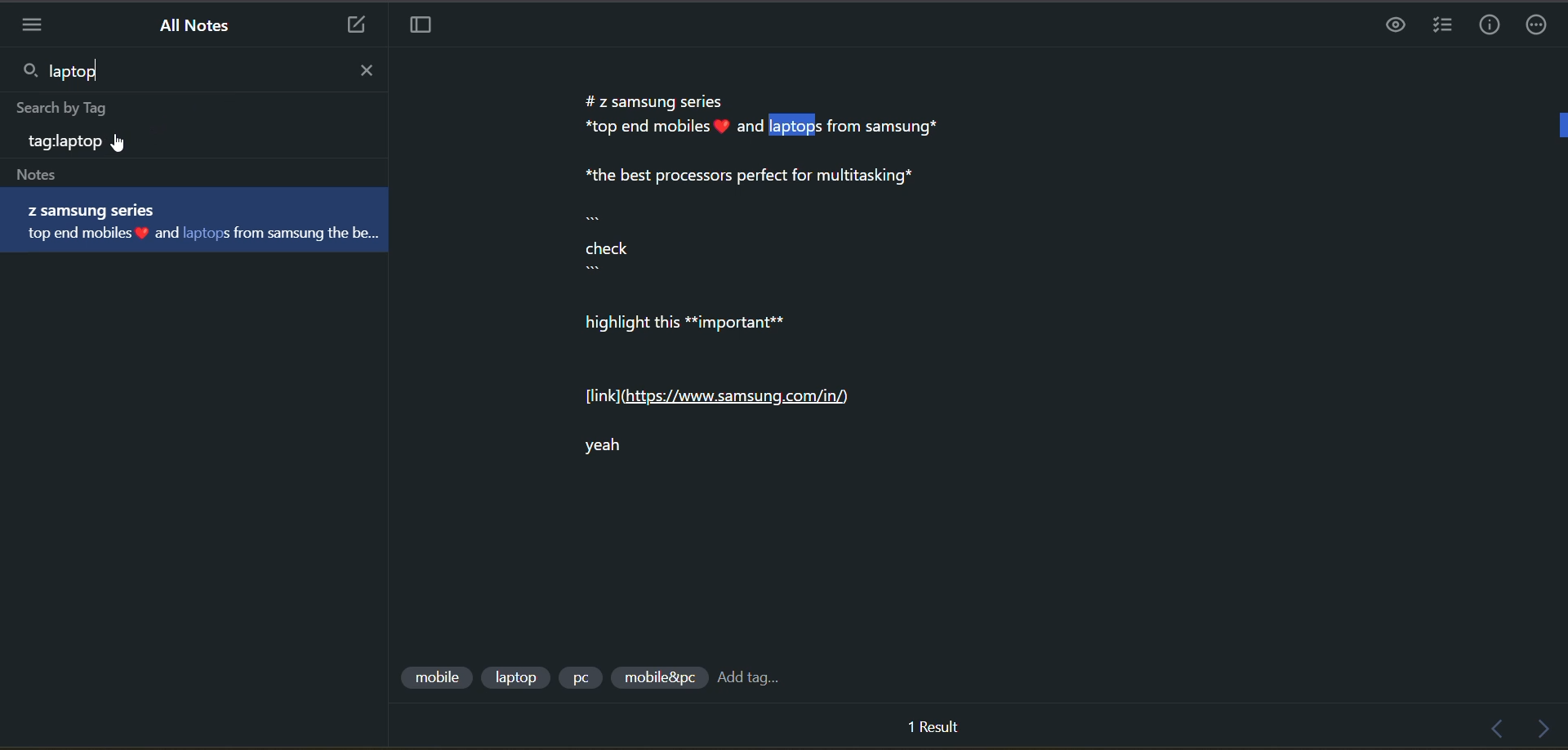 This screenshot has height=750, width=1568. What do you see at coordinates (99, 211) in the screenshot?
I see `Z samsung series` at bounding box center [99, 211].